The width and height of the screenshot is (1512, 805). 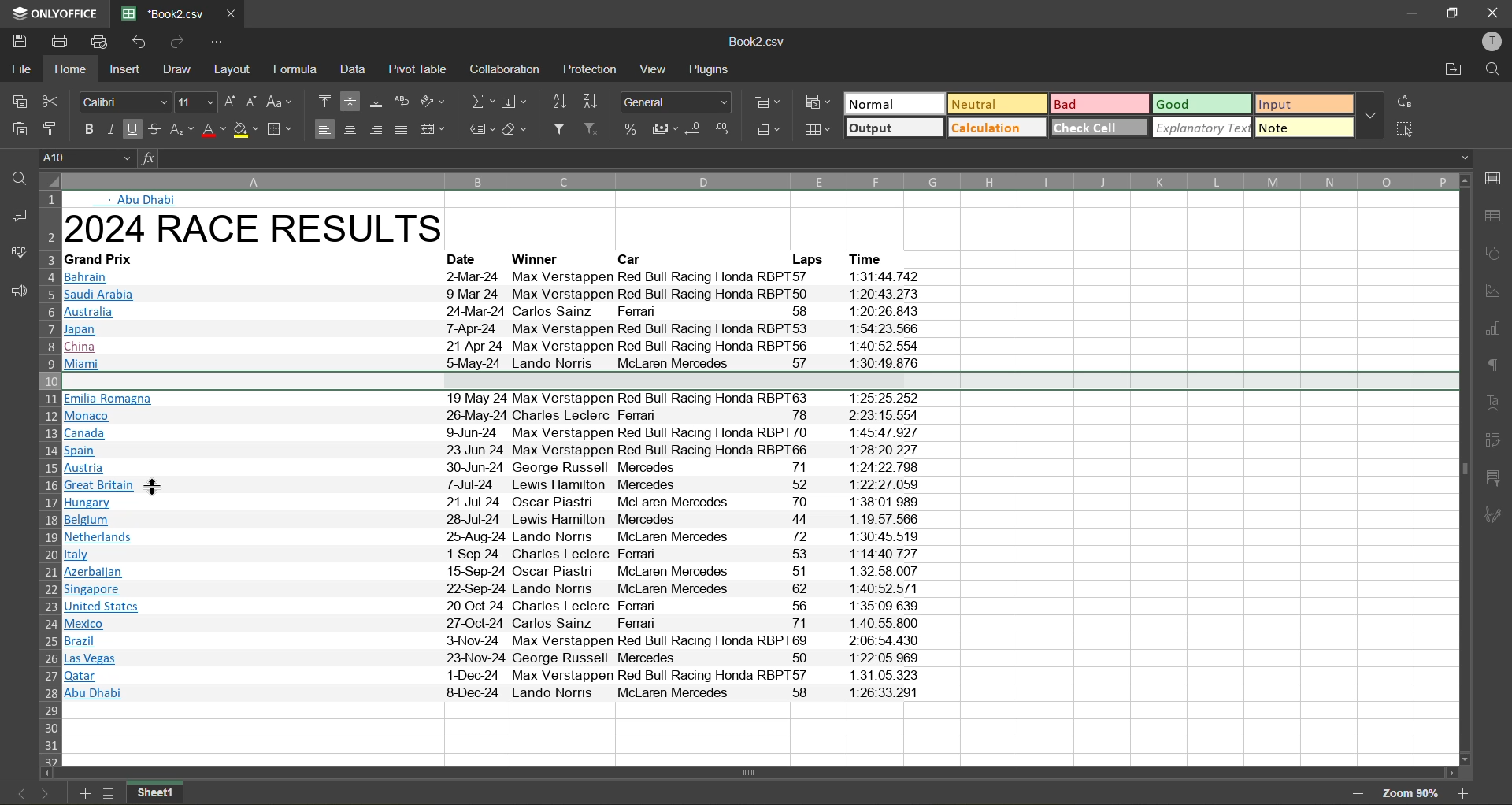 What do you see at coordinates (259, 231) in the screenshot?
I see `2024 RACE RESULTS` at bounding box center [259, 231].